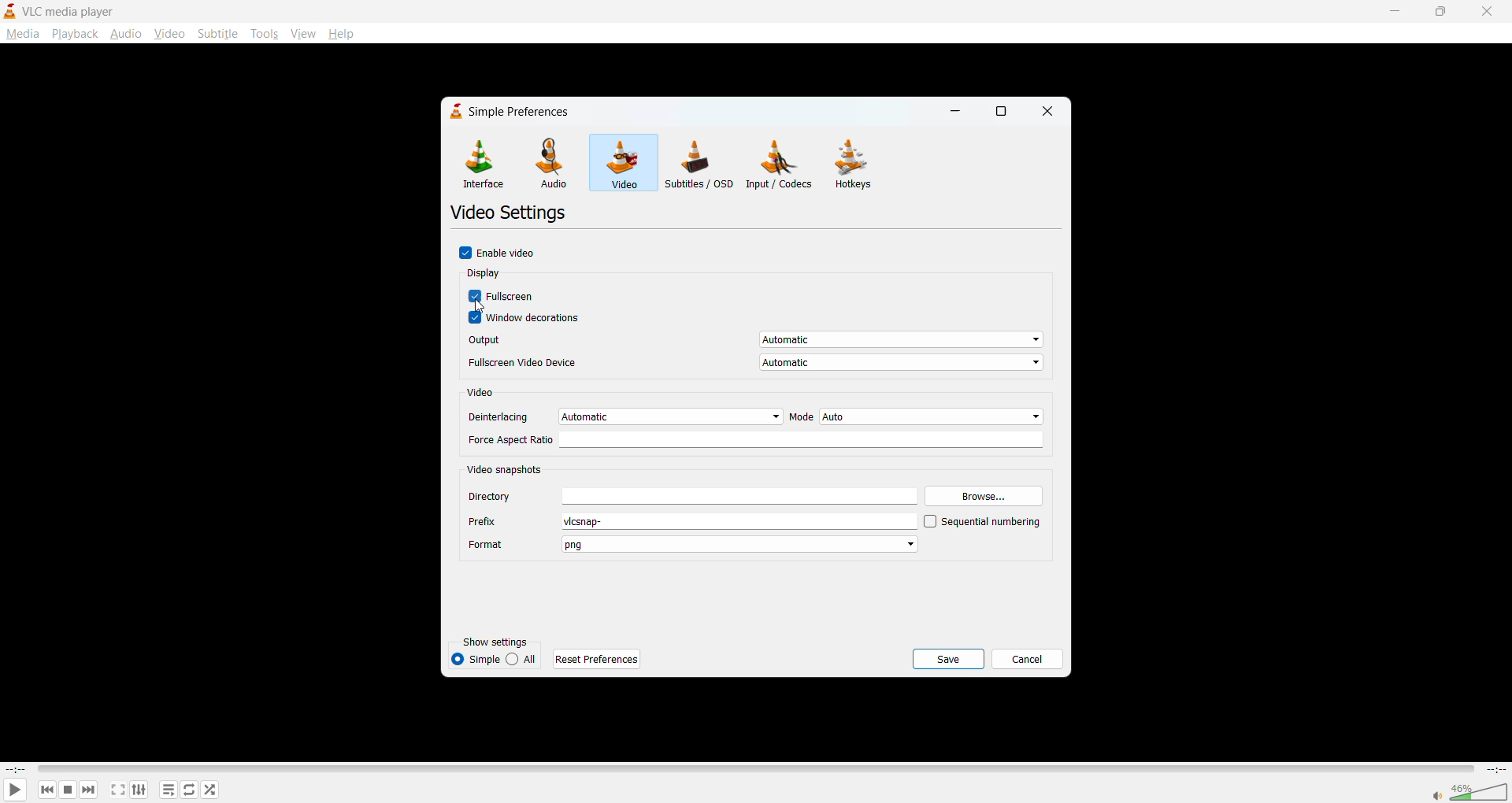 Image resolution: width=1512 pixels, height=803 pixels. I want to click on input/codecs, so click(783, 166).